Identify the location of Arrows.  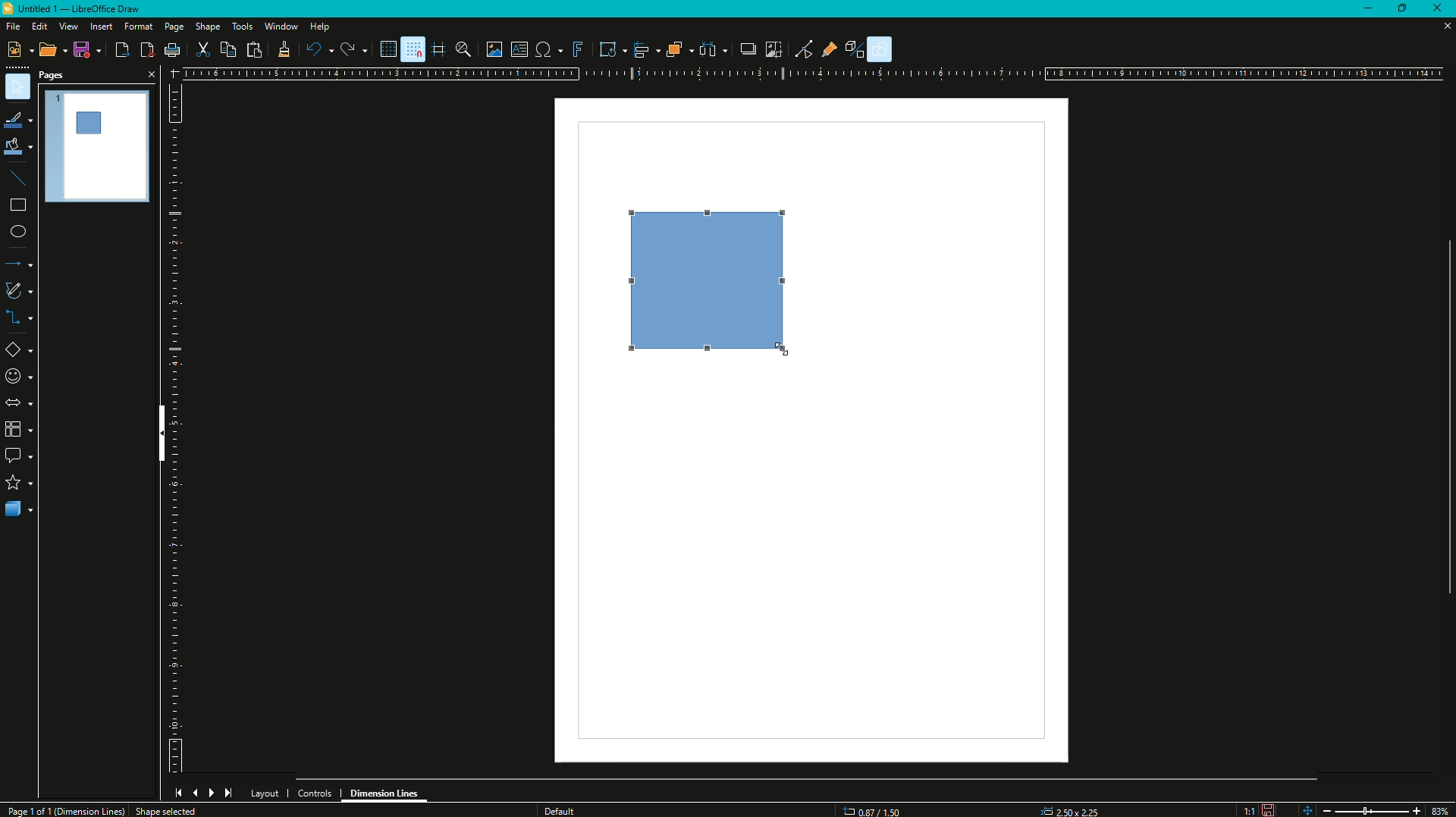
(18, 402).